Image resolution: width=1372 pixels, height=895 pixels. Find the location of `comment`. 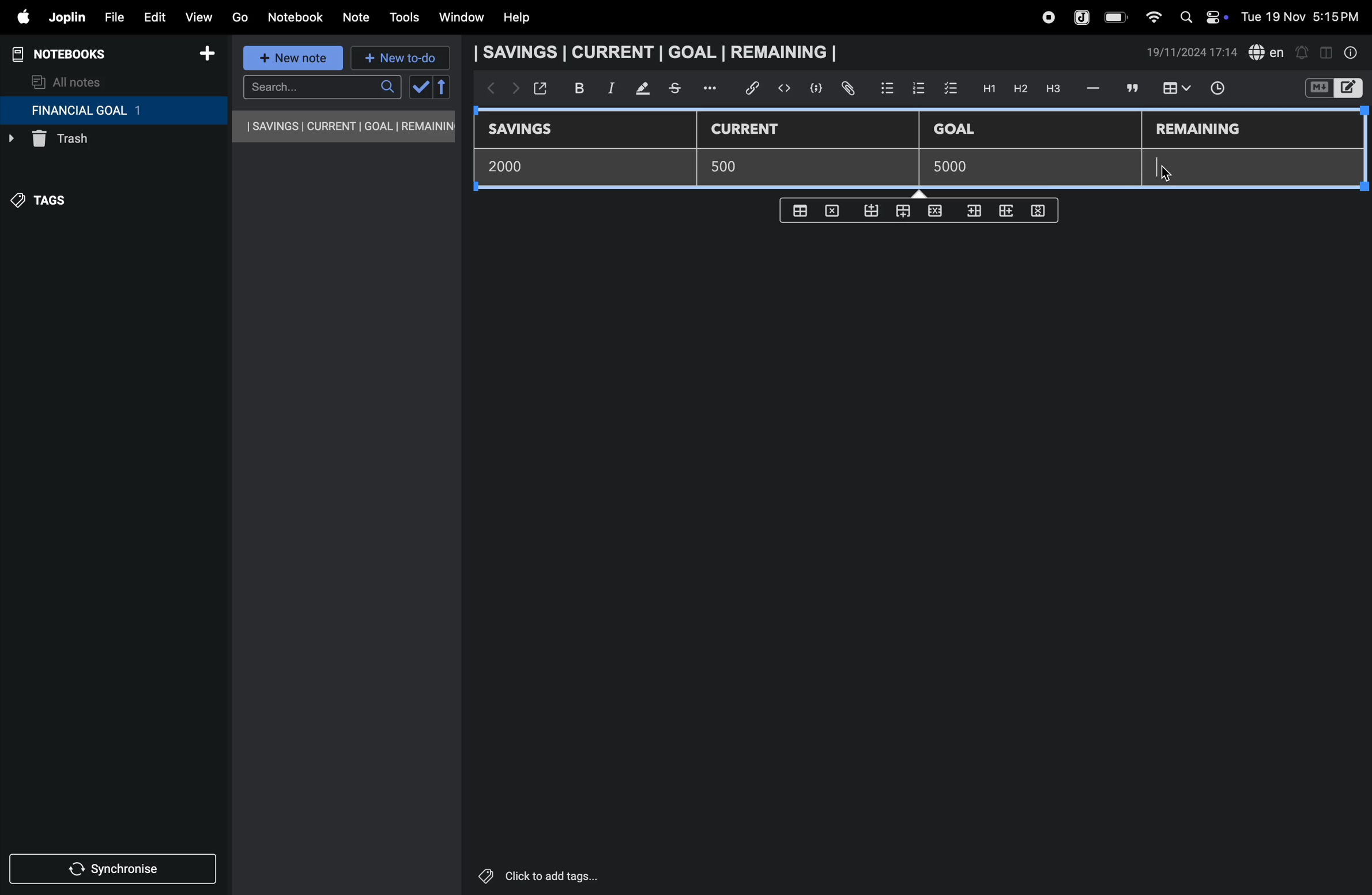

comment is located at coordinates (1130, 88).